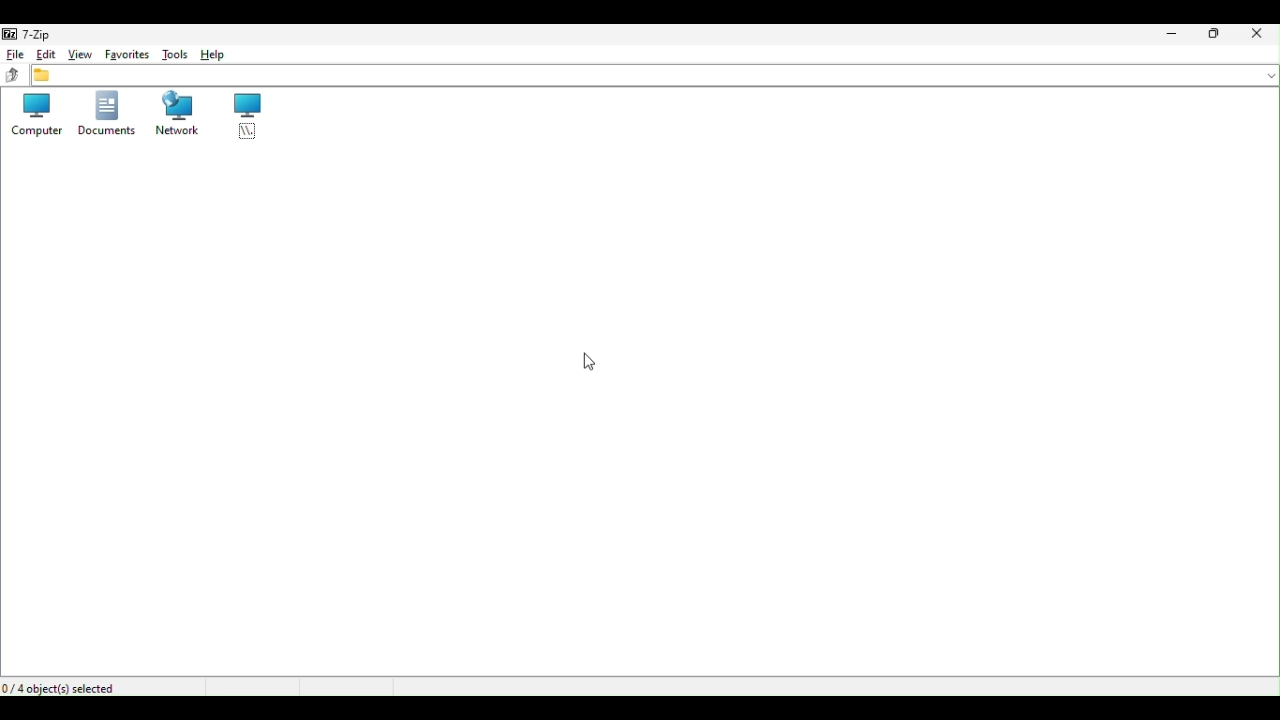  What do you see at coordinates (65, 688) in the screenshot?
I see `4 object selected` at bounding box center [65, 688].